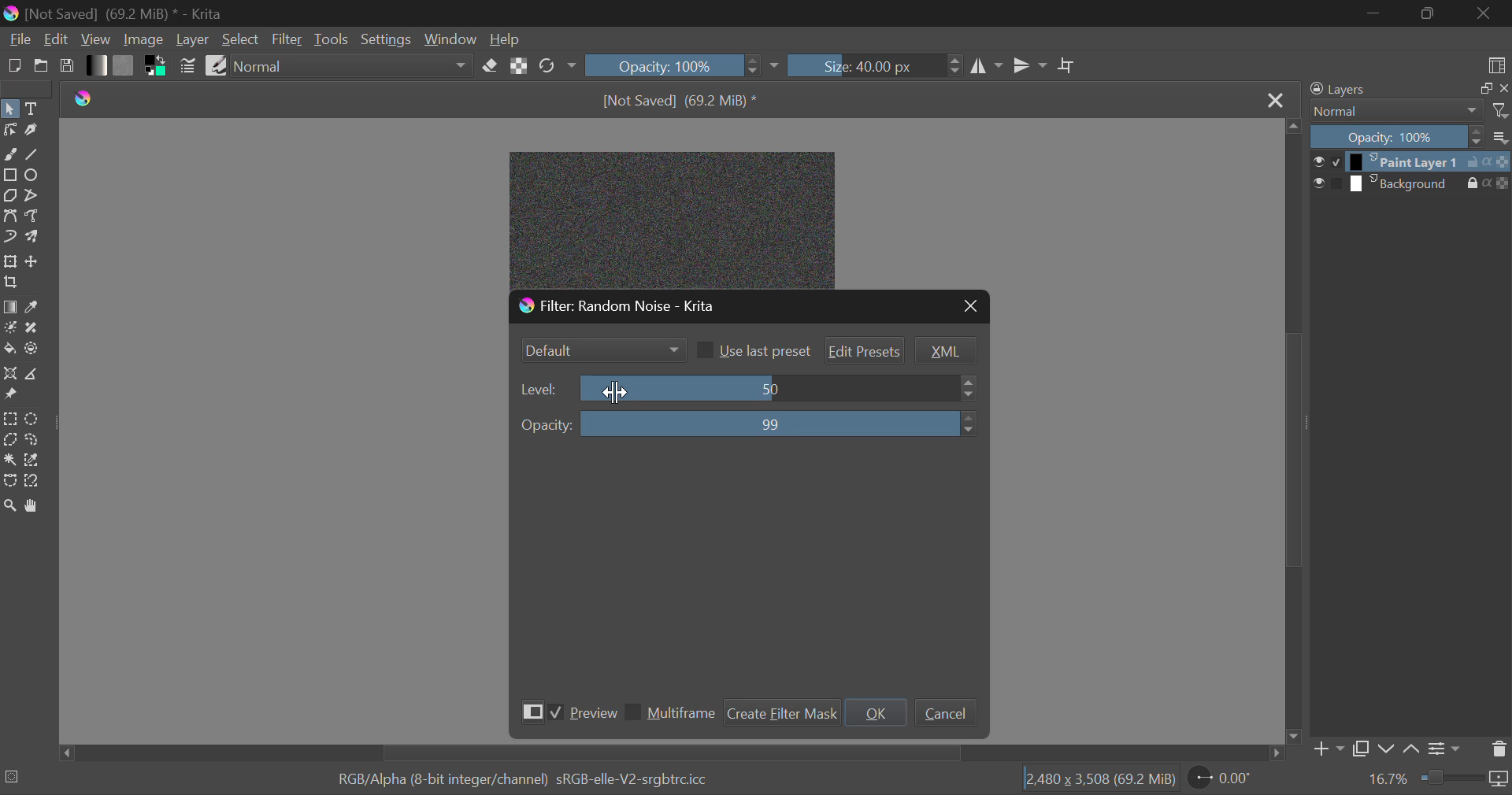  I want to click on Edit Shapes, so click(9, 133).